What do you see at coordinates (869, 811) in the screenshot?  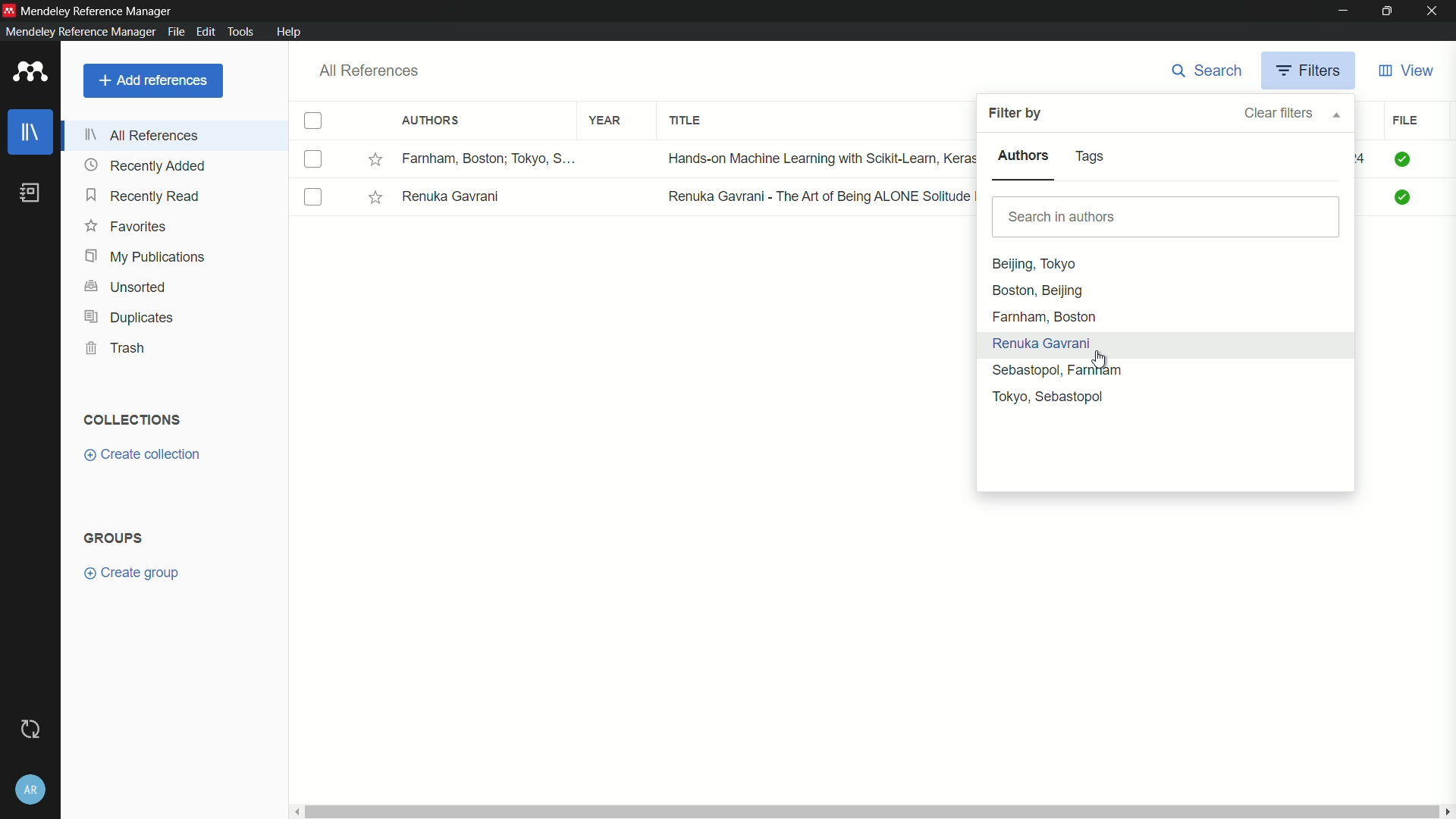 I see `Horizontal scroll bar` at bounding box center [869, 811].